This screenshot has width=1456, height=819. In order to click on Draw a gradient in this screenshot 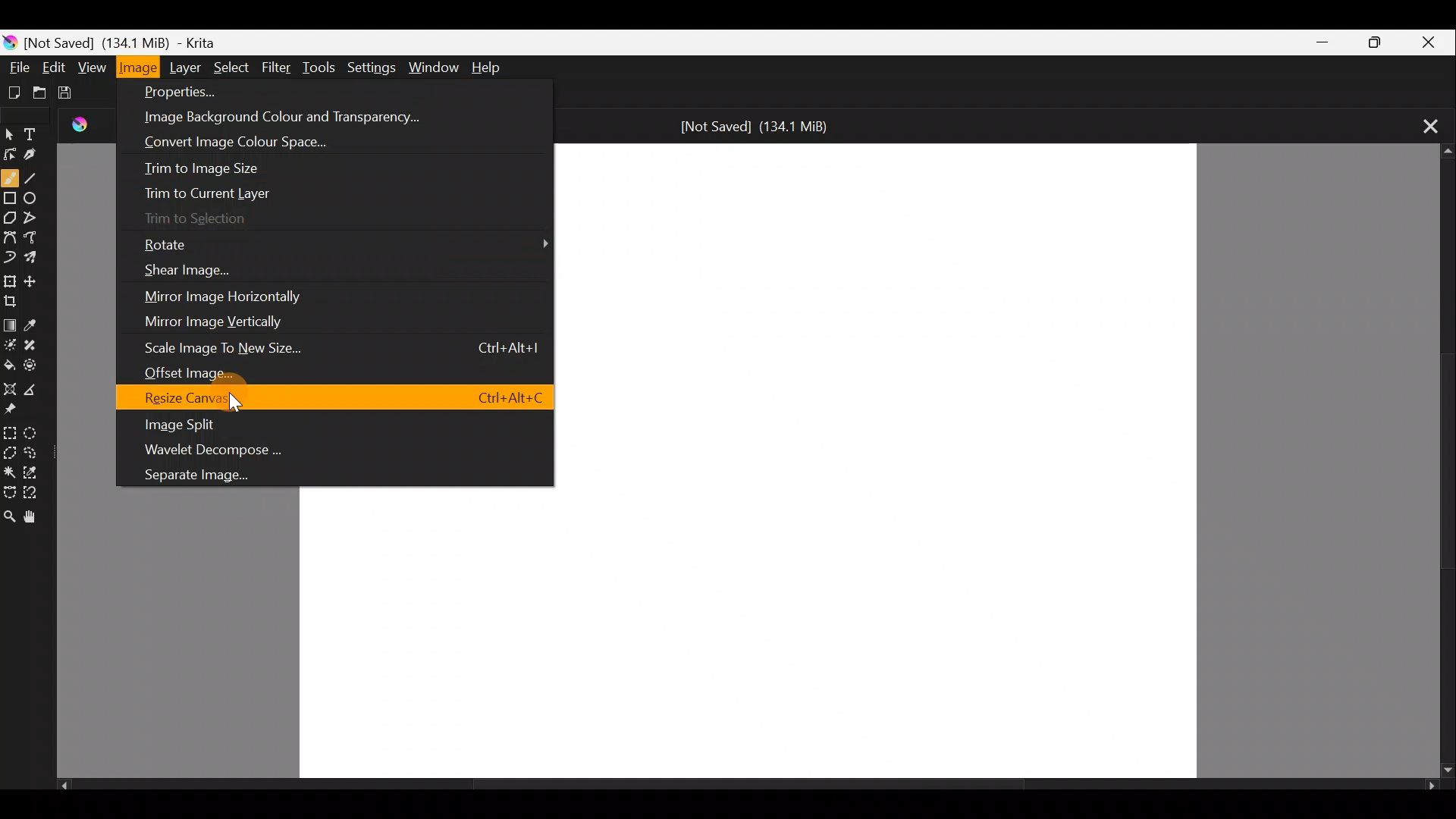, I will do `click(11, 322)`.